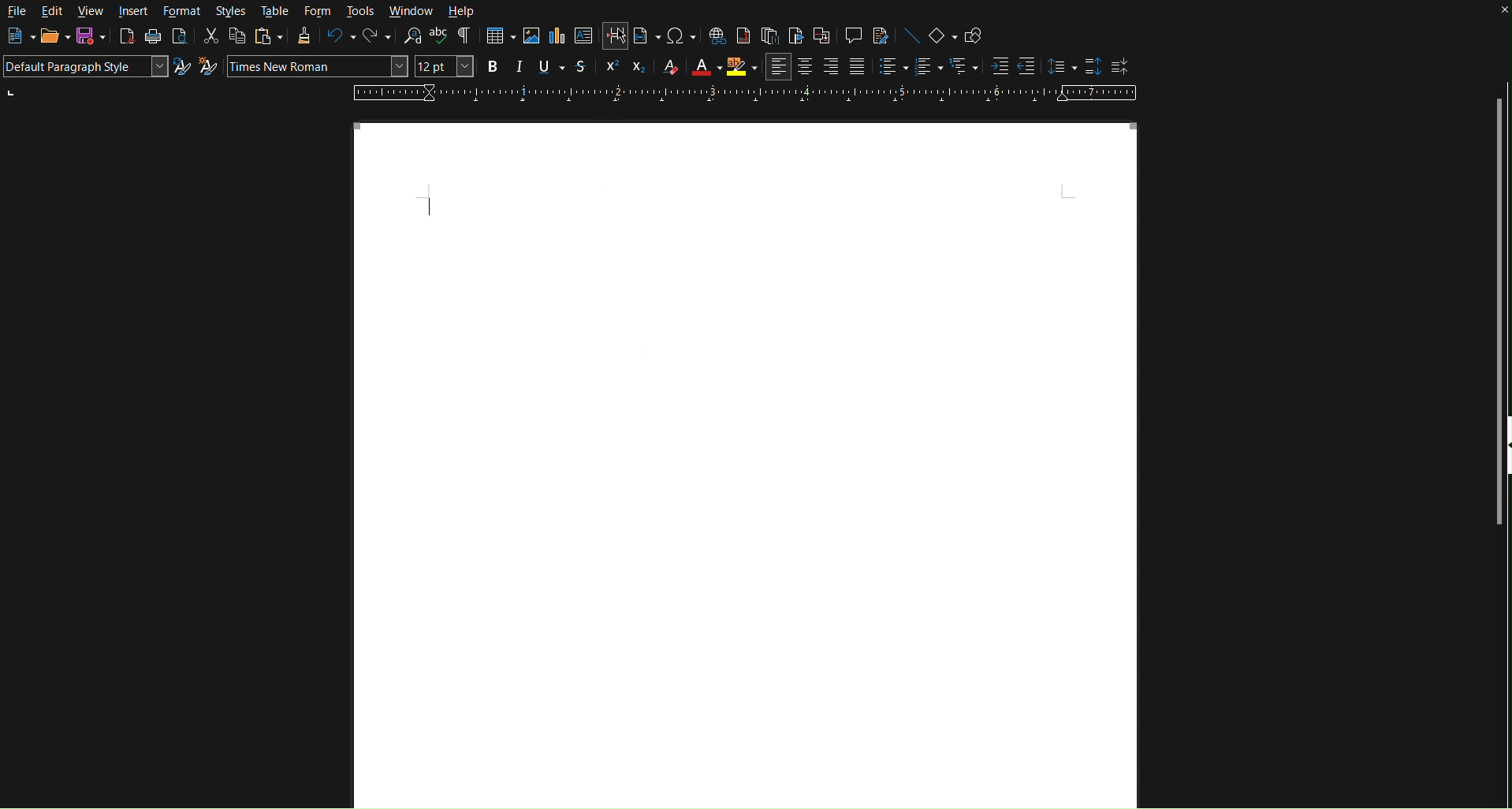 The image size is (1512, 809). Describe the element at coordinates (795, 35) in the screenshot. I see `Insert Bookmark` at that location.